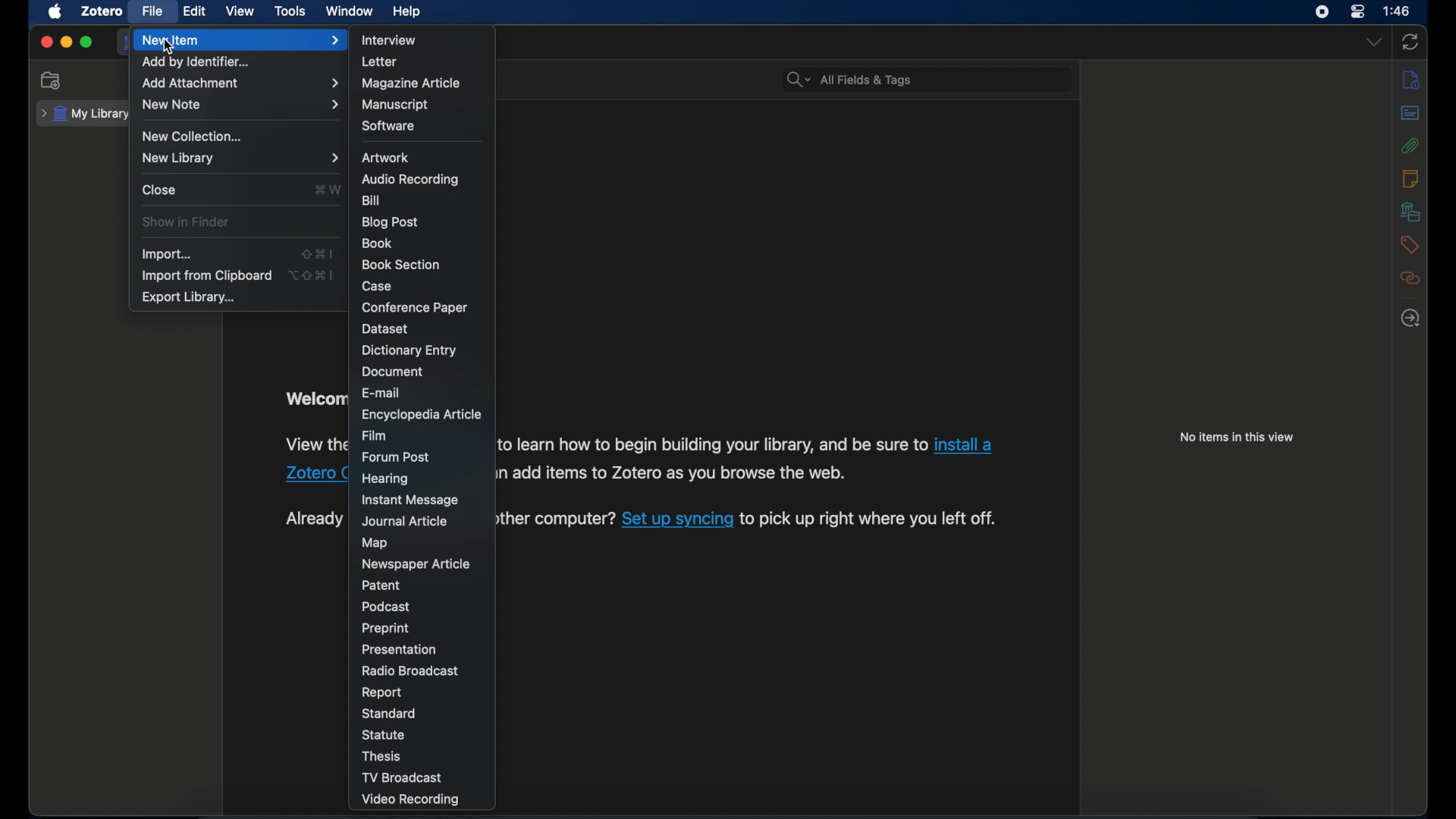 The height and width of the screenshot is (819, 1456). What do you see at coordinates (87, 42) in the screenshot?
I see `maximize` at bounding box center [87, 42].